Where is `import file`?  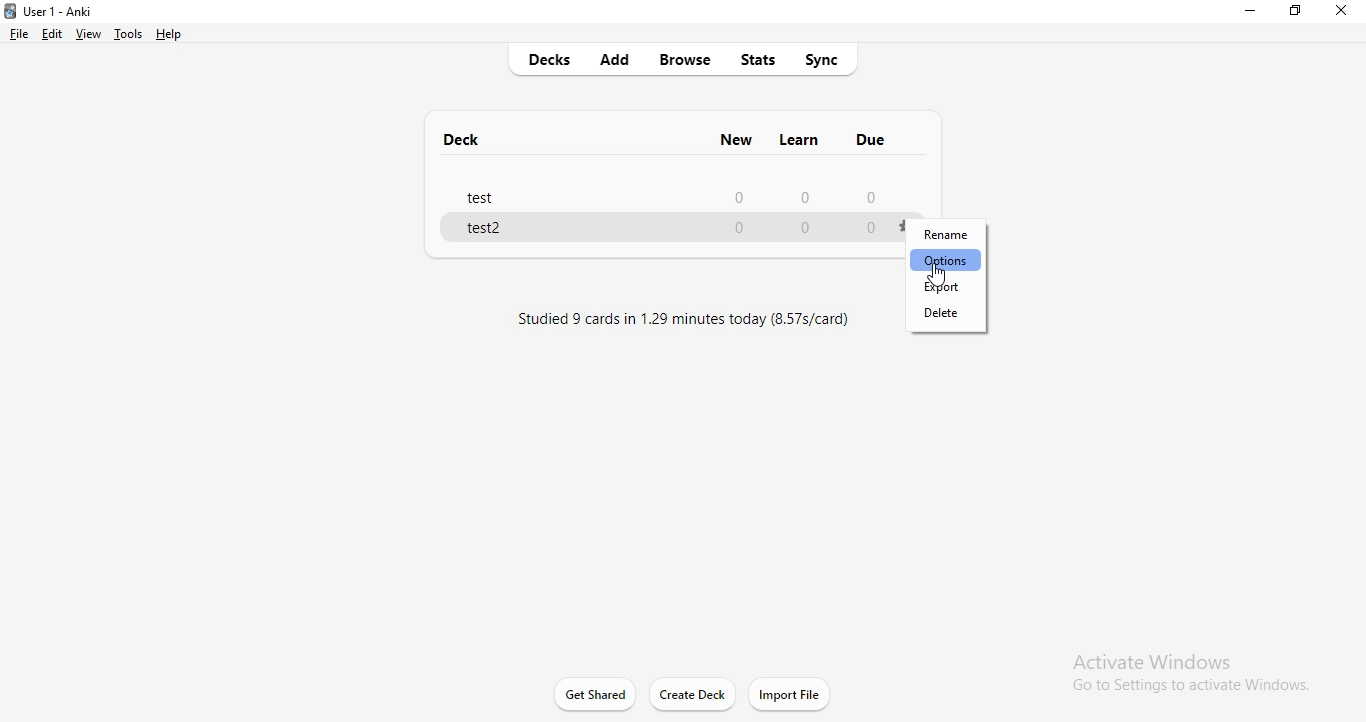
import file is located at coordinates (798, 695).